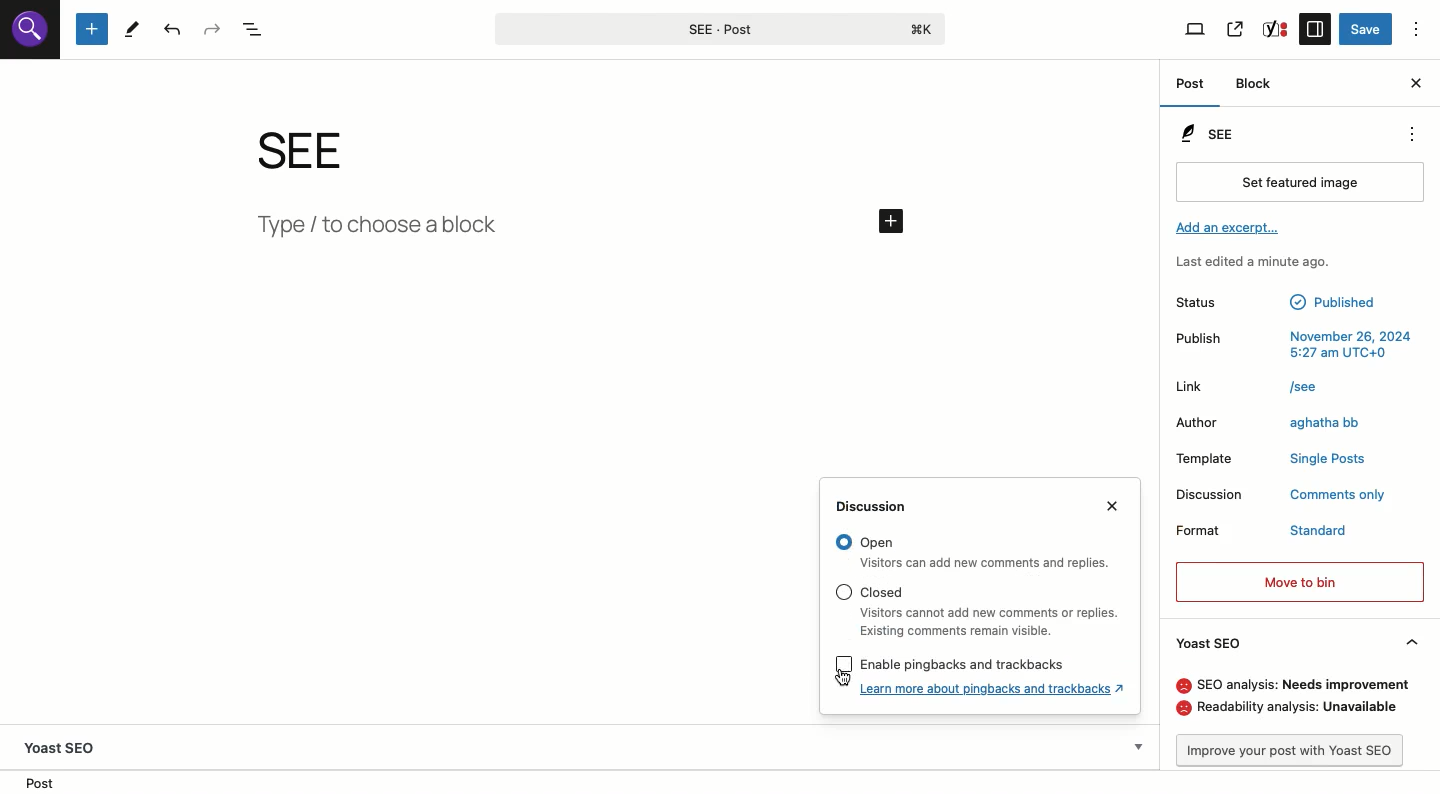  What do you see at coordinates (1190, 83) in the screenshot?
I see `Post` at bounding box center [1190, 83].